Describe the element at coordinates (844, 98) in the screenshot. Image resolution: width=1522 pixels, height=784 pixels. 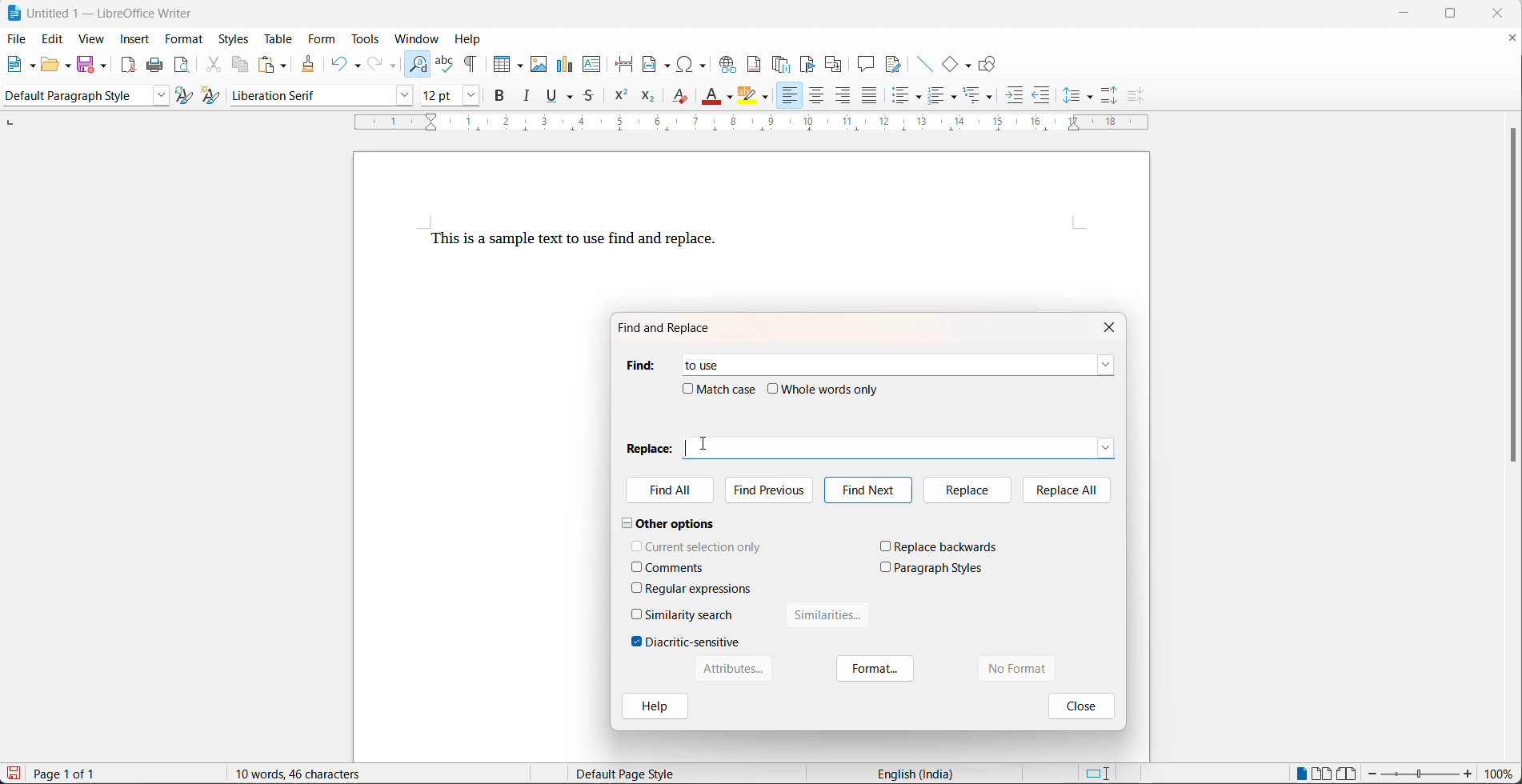
I see `text align left` at that location.